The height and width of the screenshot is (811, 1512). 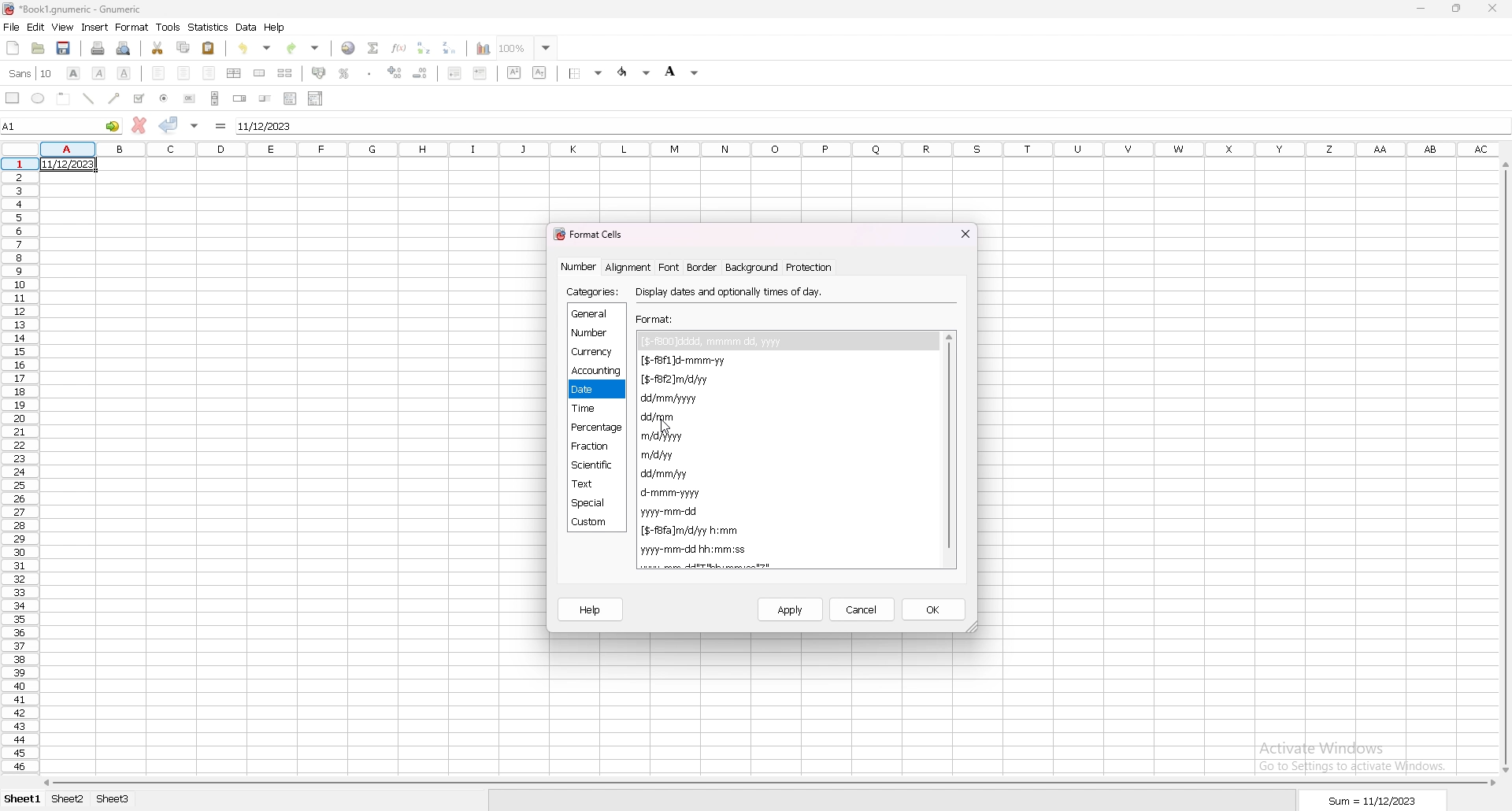 What do you see at coordinates (209, 73) in the screenshot?
I see `right align` at bounding box center [209, 73].